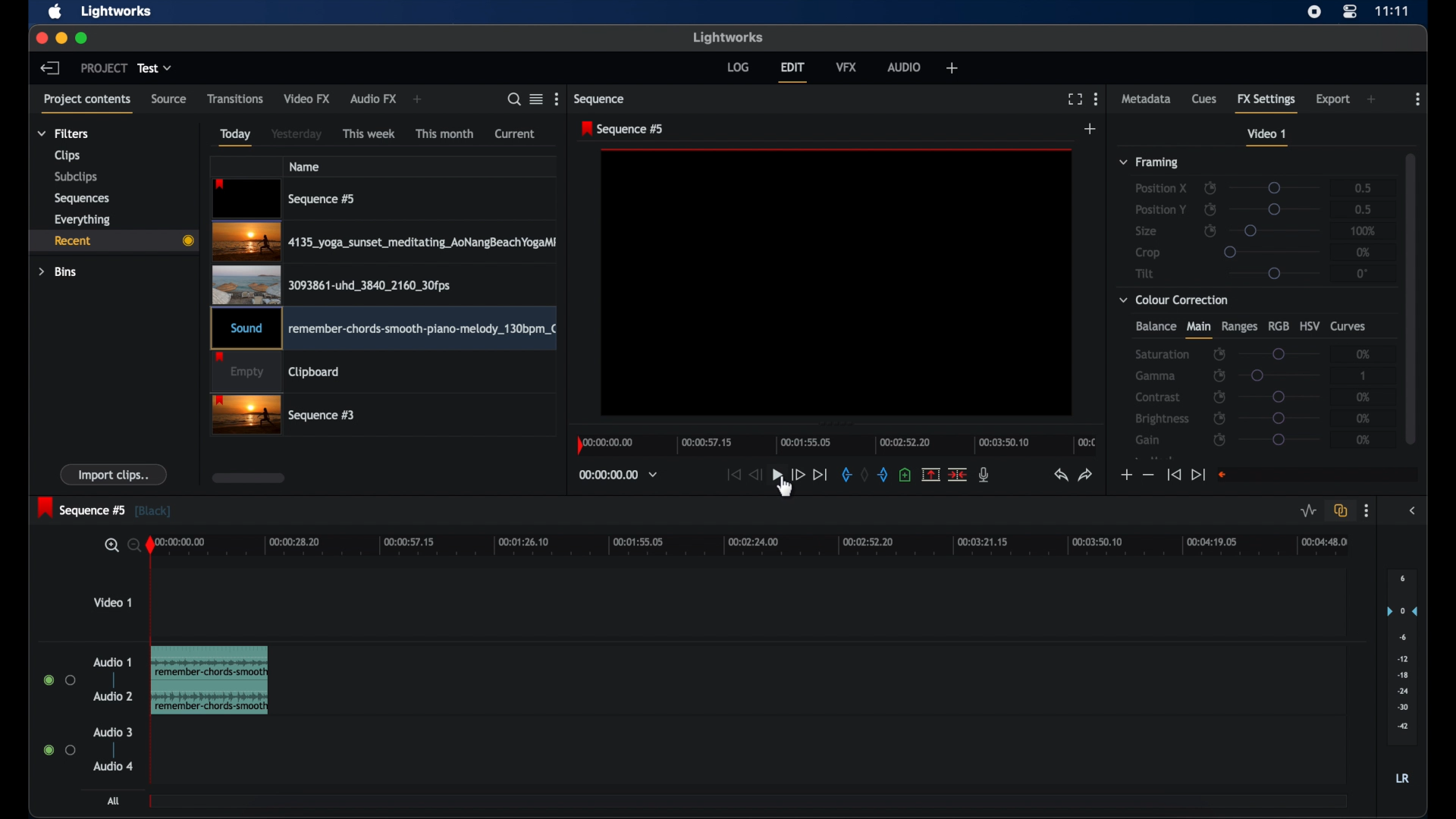 The image size is (1456, 819). I want to click on jump to start, so click(1174, 475).